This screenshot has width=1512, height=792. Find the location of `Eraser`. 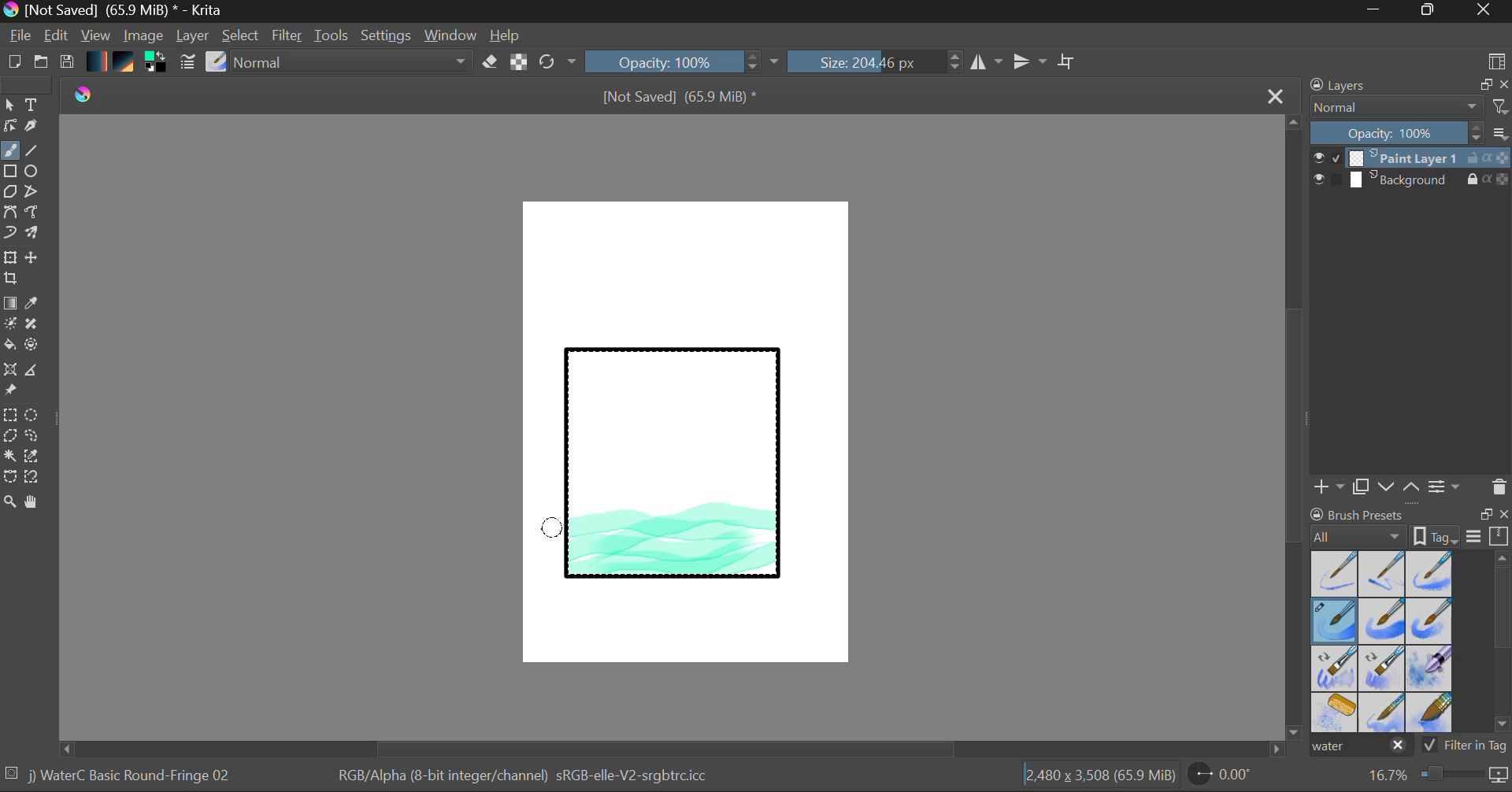

Eraser is located at coordinates (491, 62).